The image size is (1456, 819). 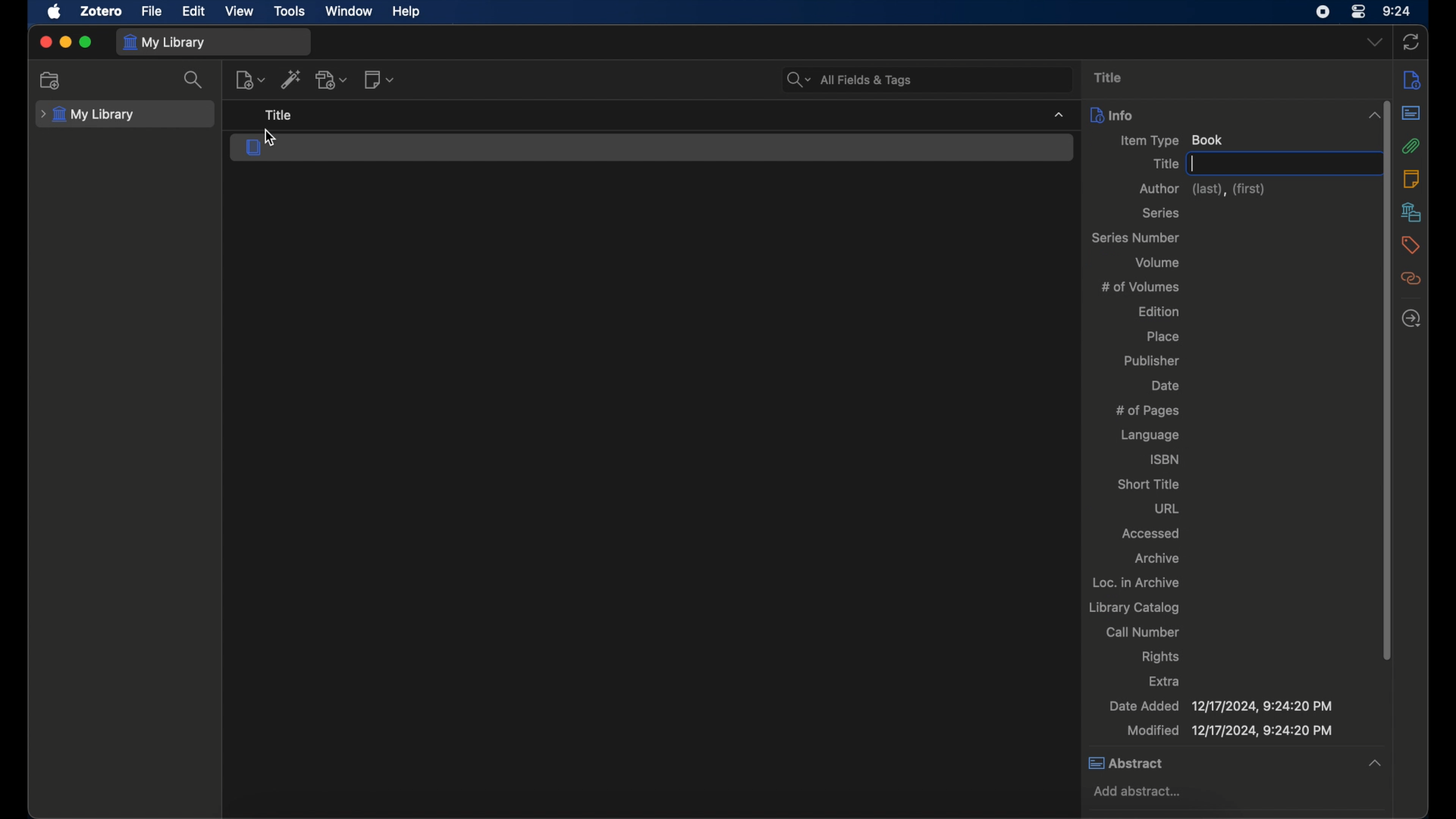 I want to click on new collection, so click(x=50, y=80).